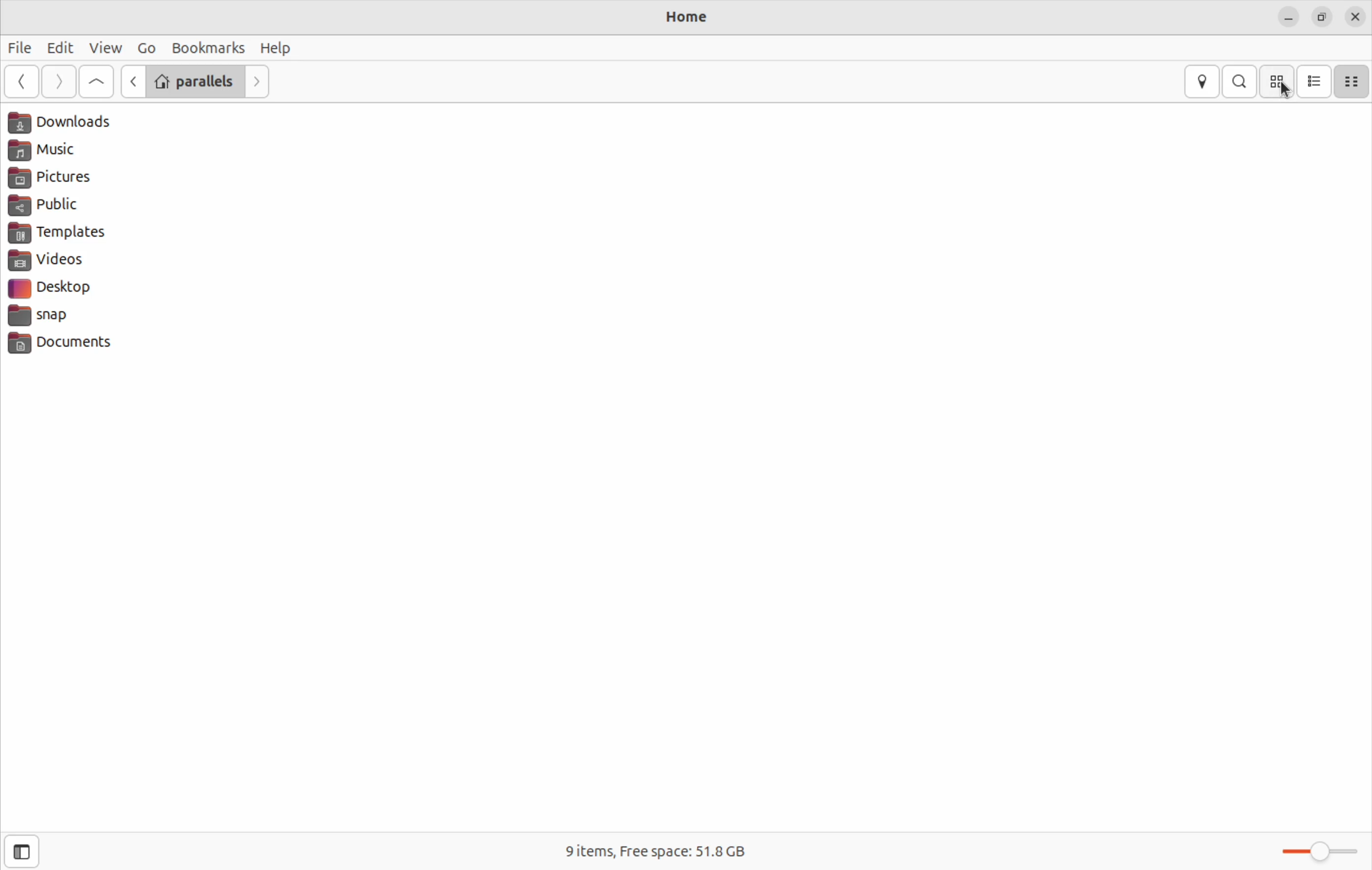 Image resolution: width=1372 pixels, height=870 pixels. I want to click on File, so click(21, 48).